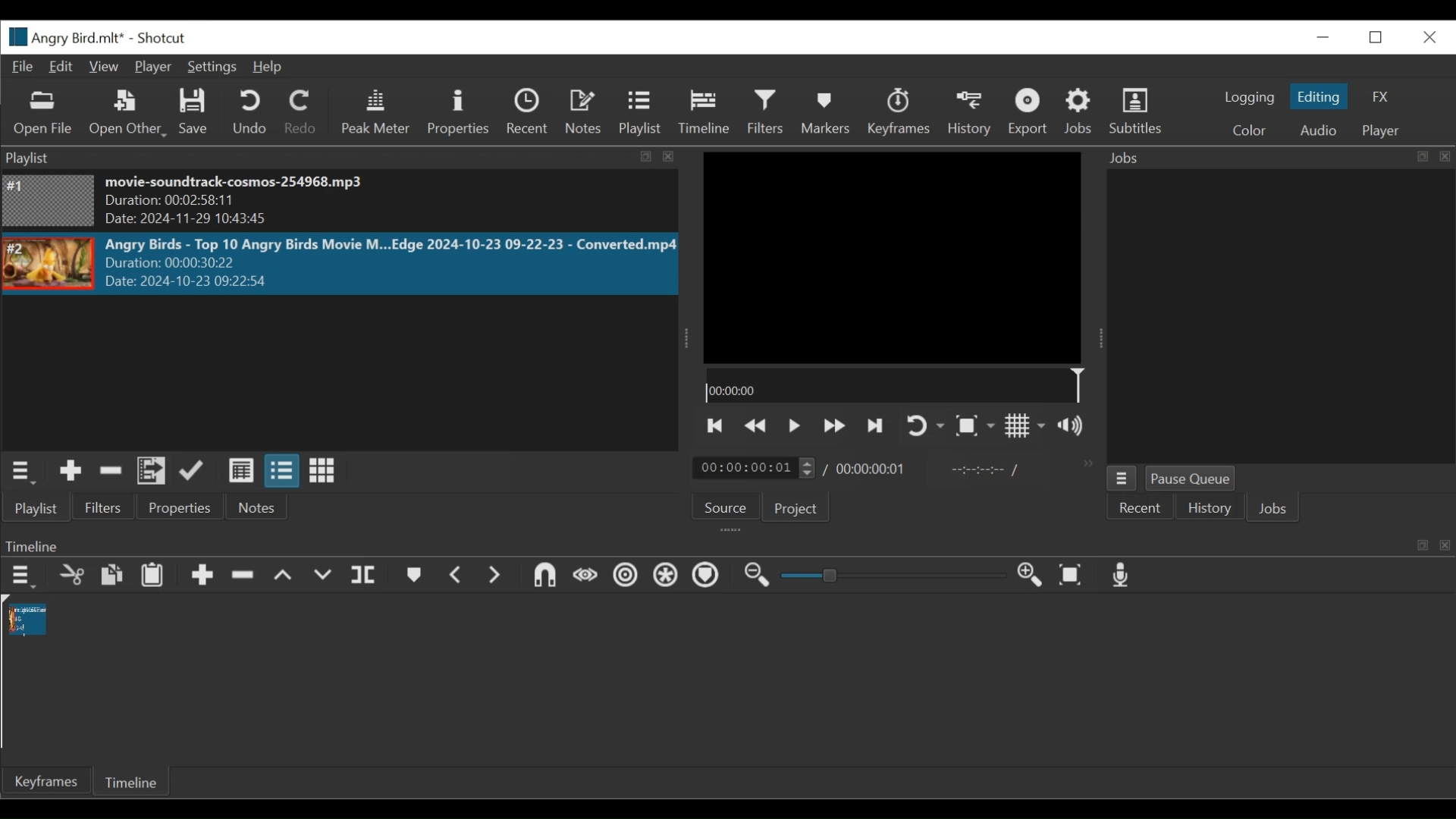 This screenshot has height=819, width=1456. What do you see at coordinates (115, 576) in the screenshot?
I see `Copy` at bounding box center [115, 576].